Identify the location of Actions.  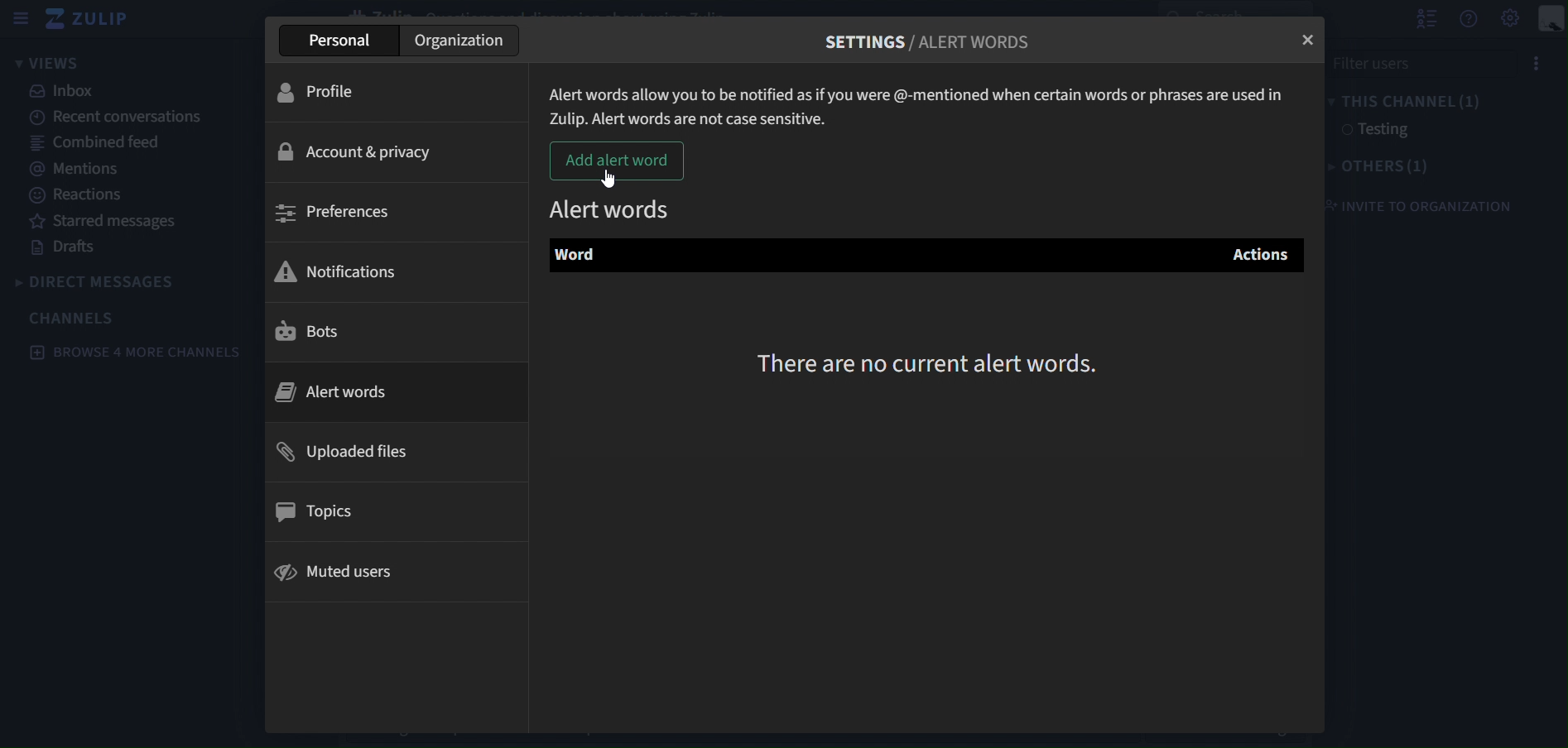
(1262, 254).